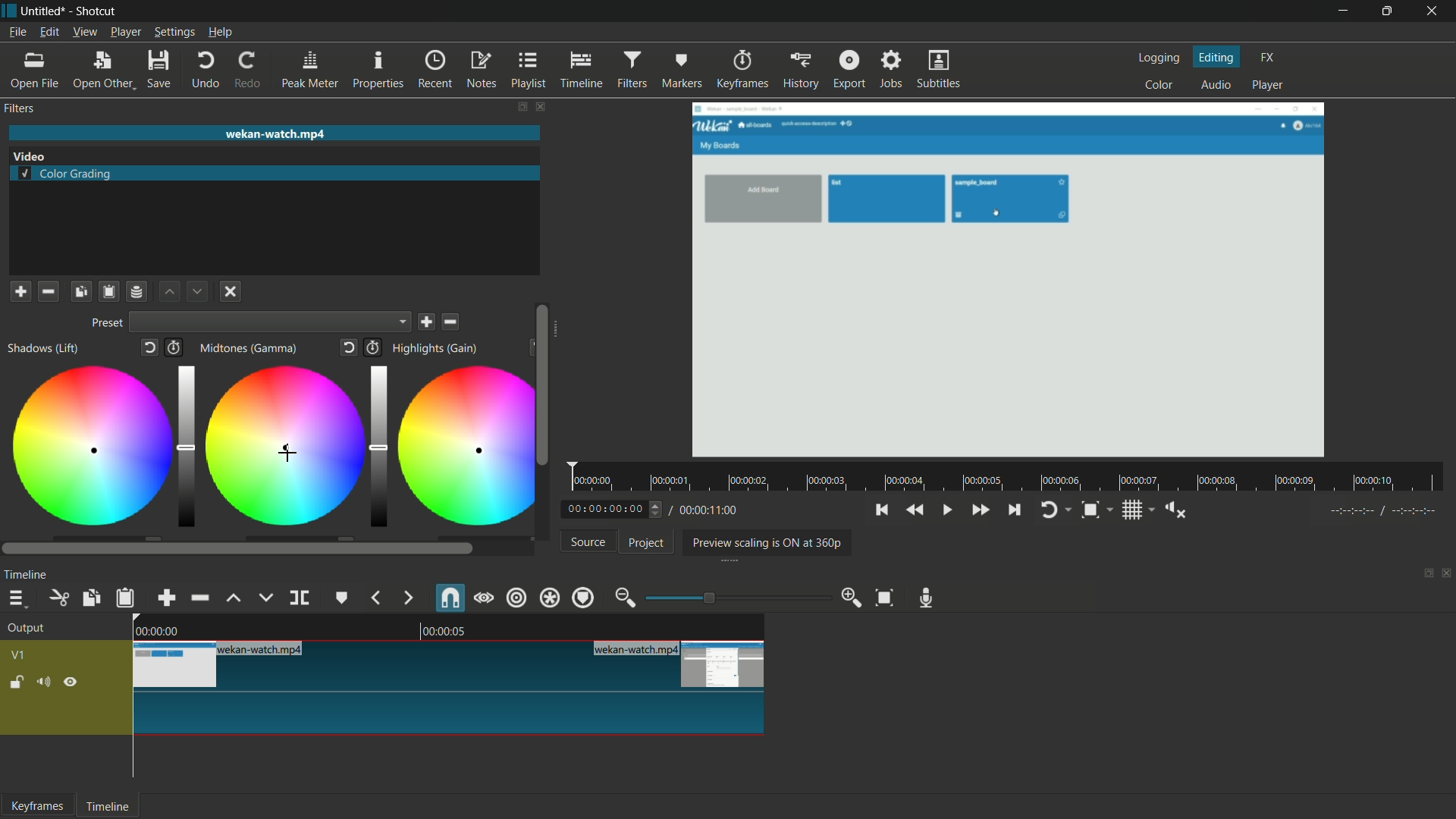  What do you see at coordinates (1340, 11) in the screenshot?
I see `minimize` at bounding box center [1340, 11].